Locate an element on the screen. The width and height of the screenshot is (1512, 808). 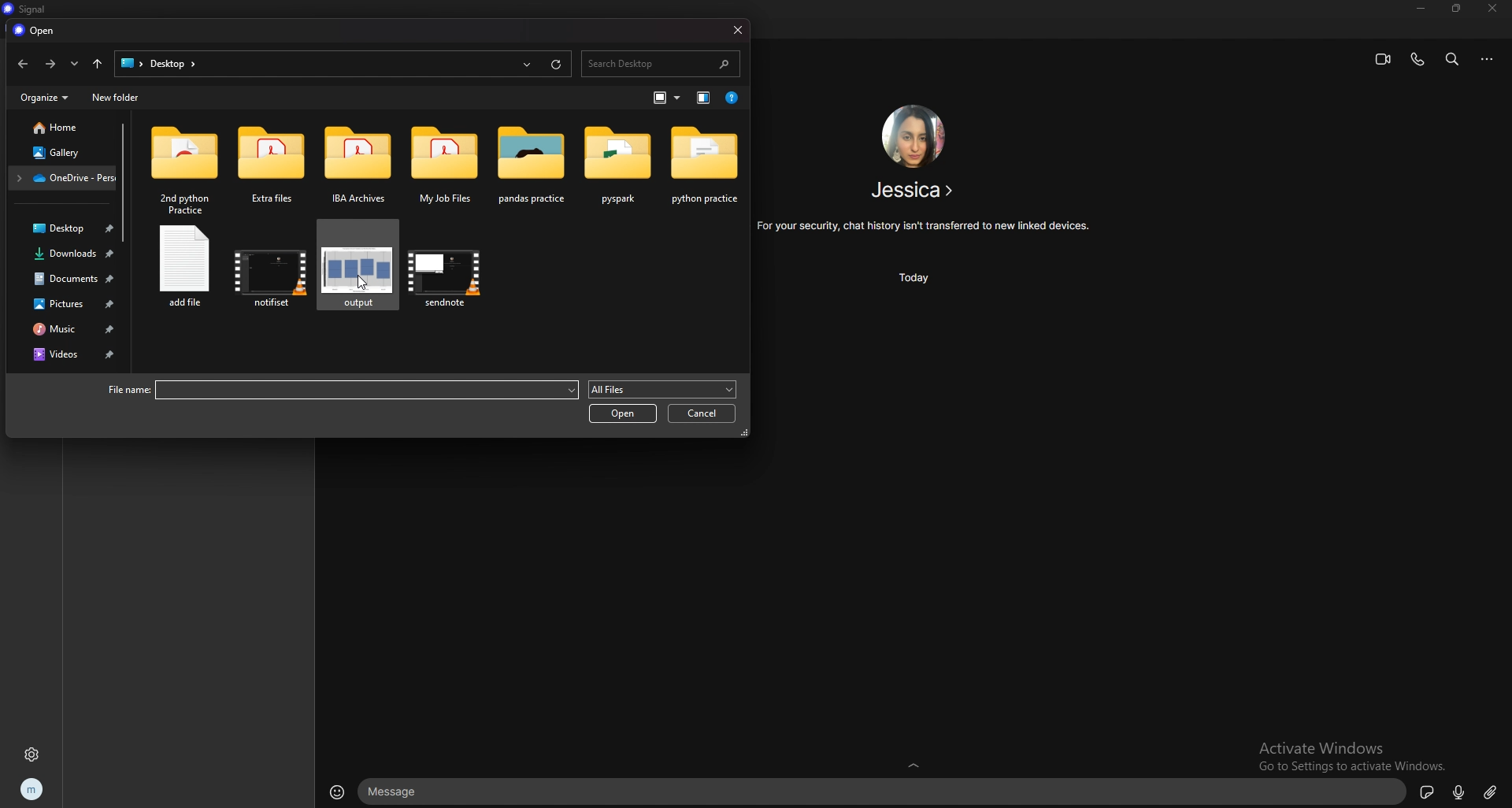
new folder is located at coordinates (115, 98).